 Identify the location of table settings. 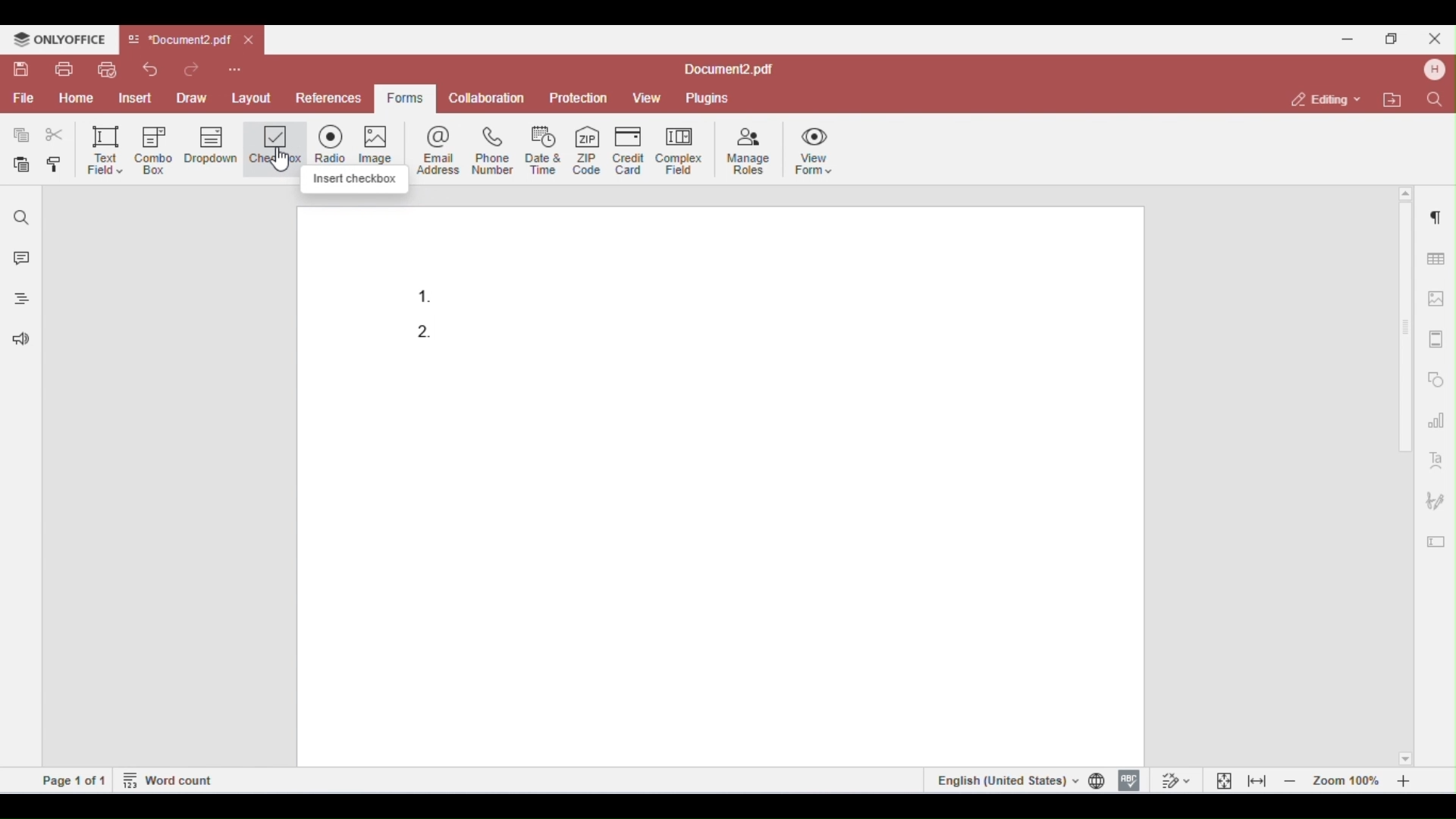
(1434, 256).